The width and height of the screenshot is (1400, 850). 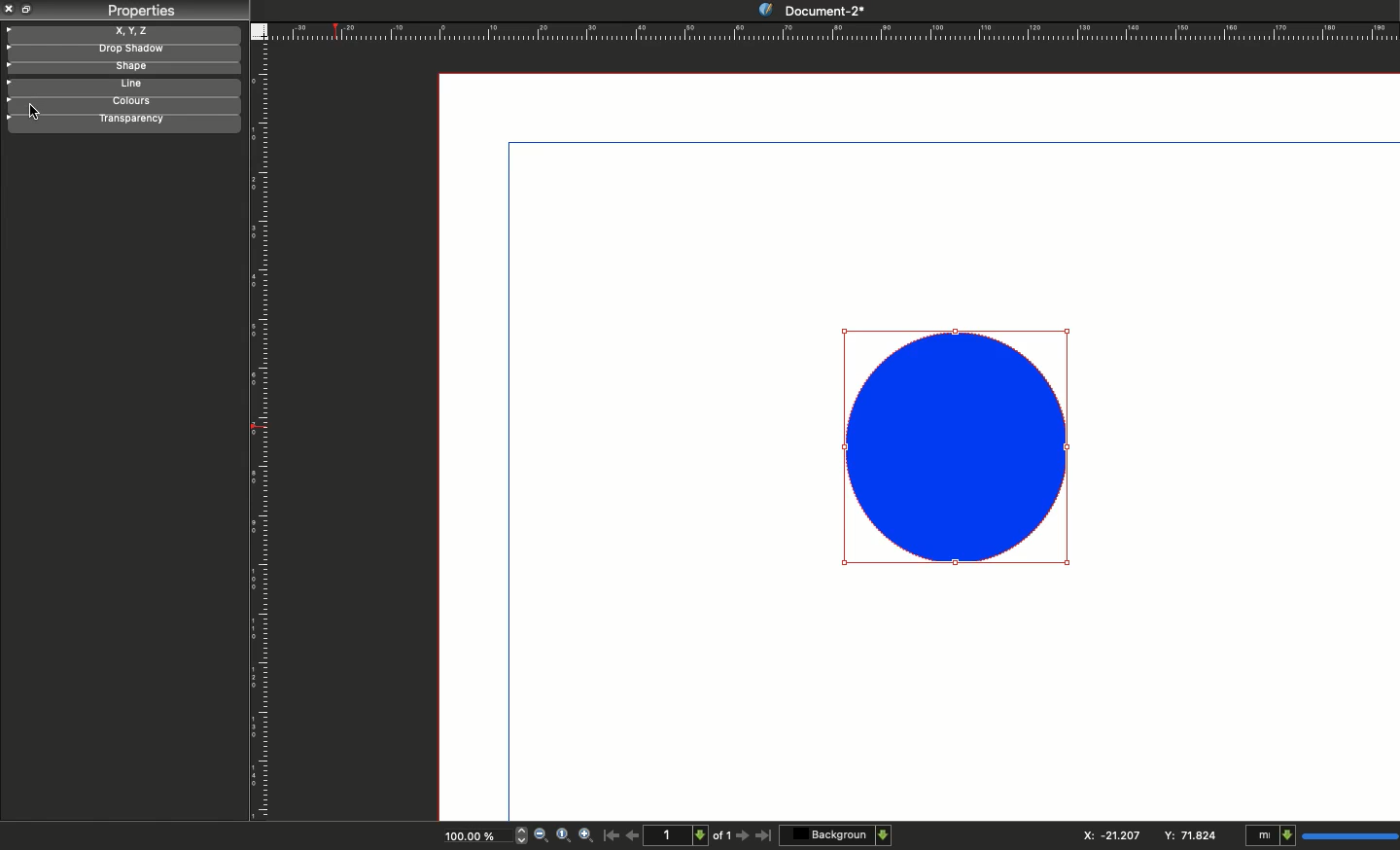 I want to click on 100.00%, so click(x=468, y=838).